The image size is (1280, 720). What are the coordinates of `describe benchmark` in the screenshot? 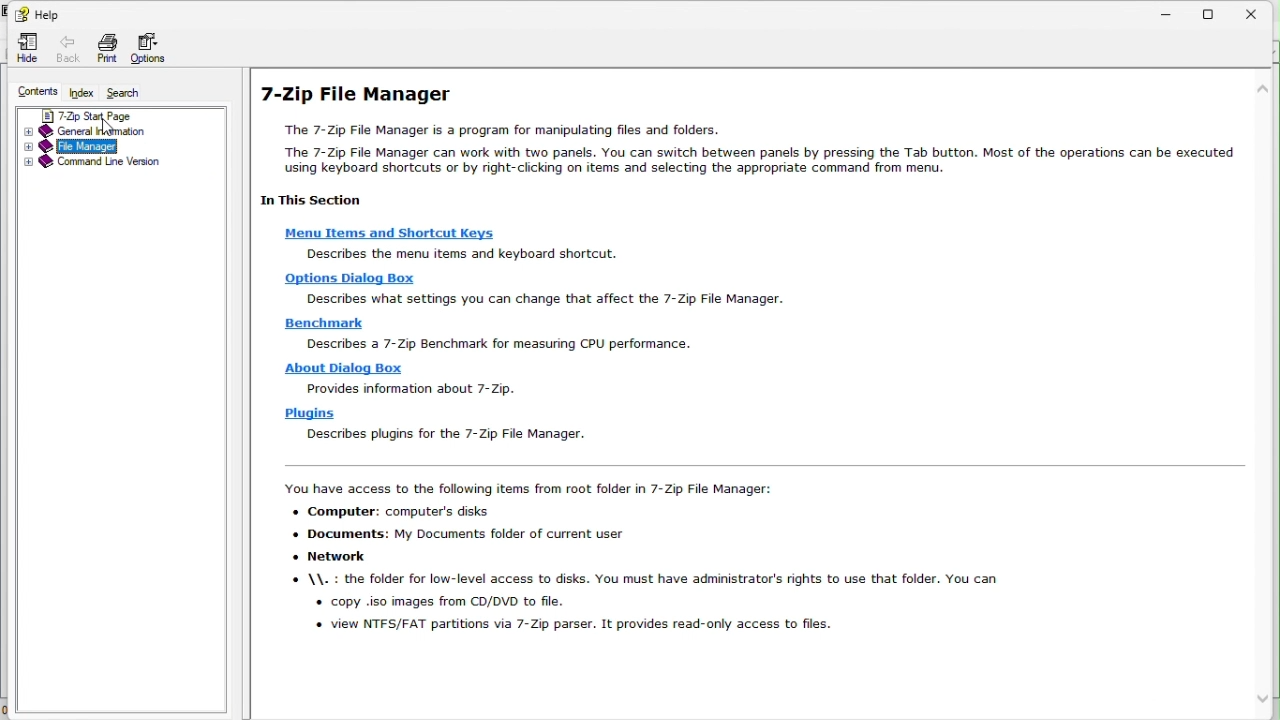 It's located at (503, 343).